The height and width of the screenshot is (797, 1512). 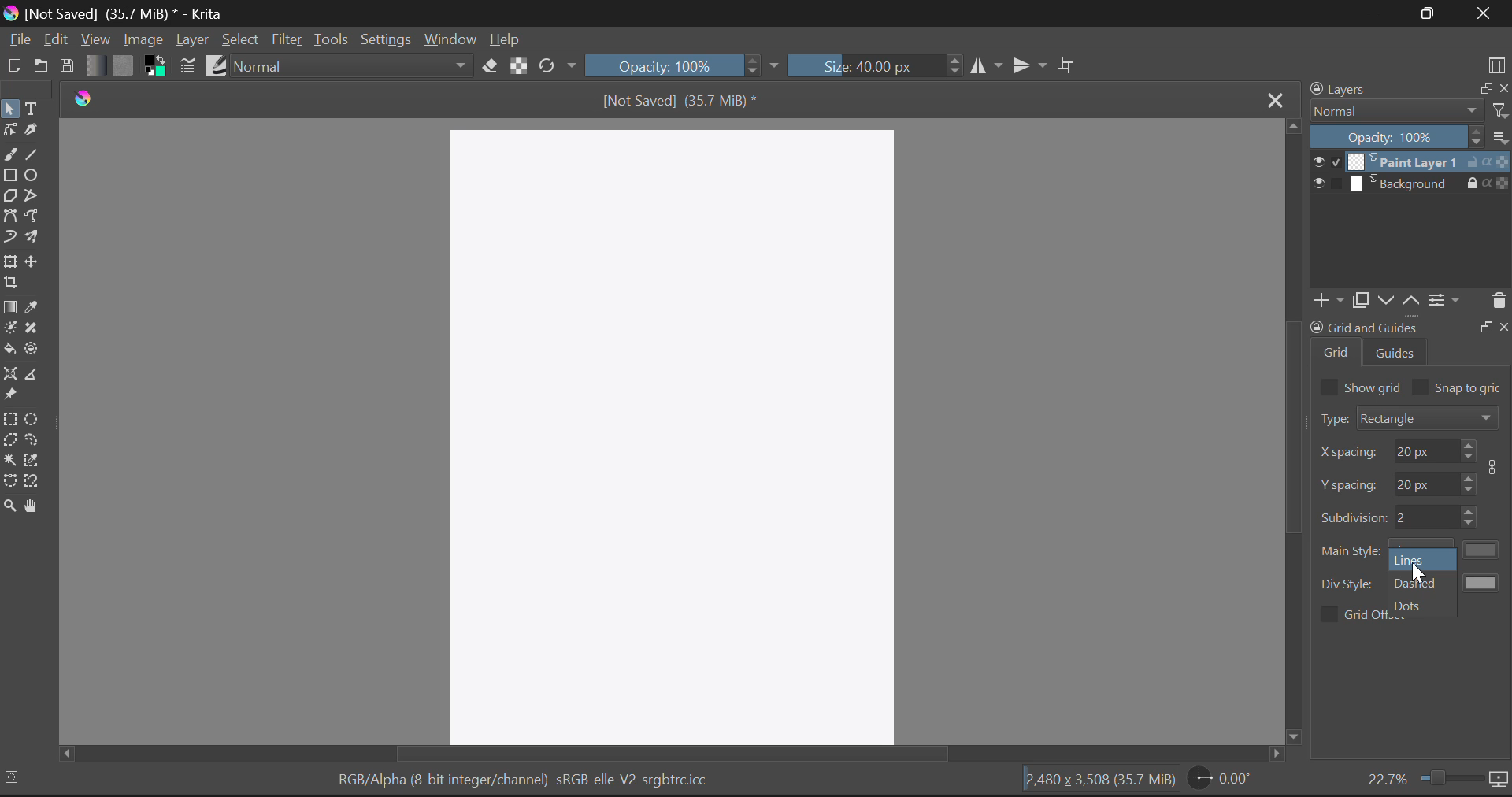 I want to click on Crop, so click(x=1069, y=65).